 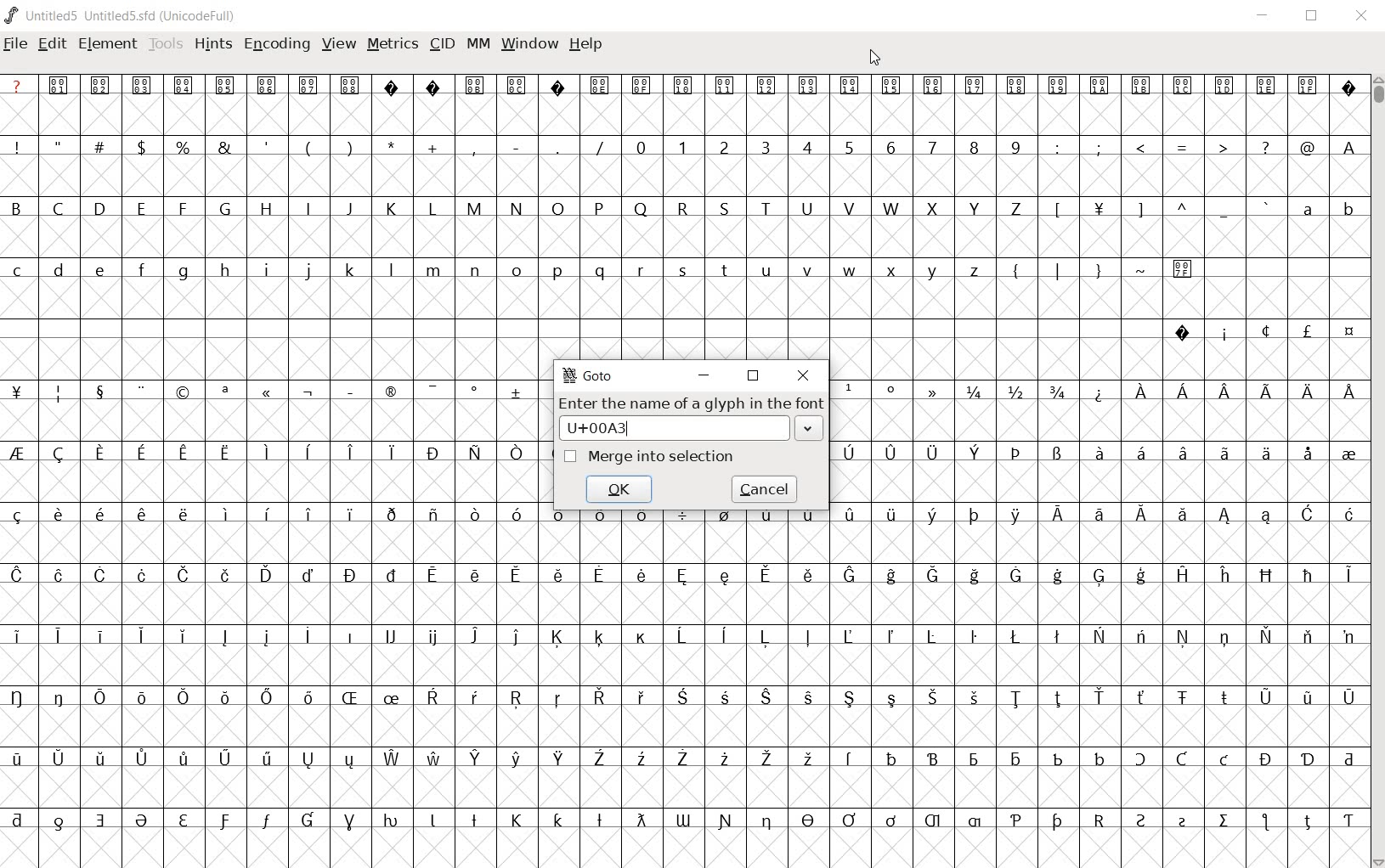 I want to click on Symbol, so click(x=432, y=452).